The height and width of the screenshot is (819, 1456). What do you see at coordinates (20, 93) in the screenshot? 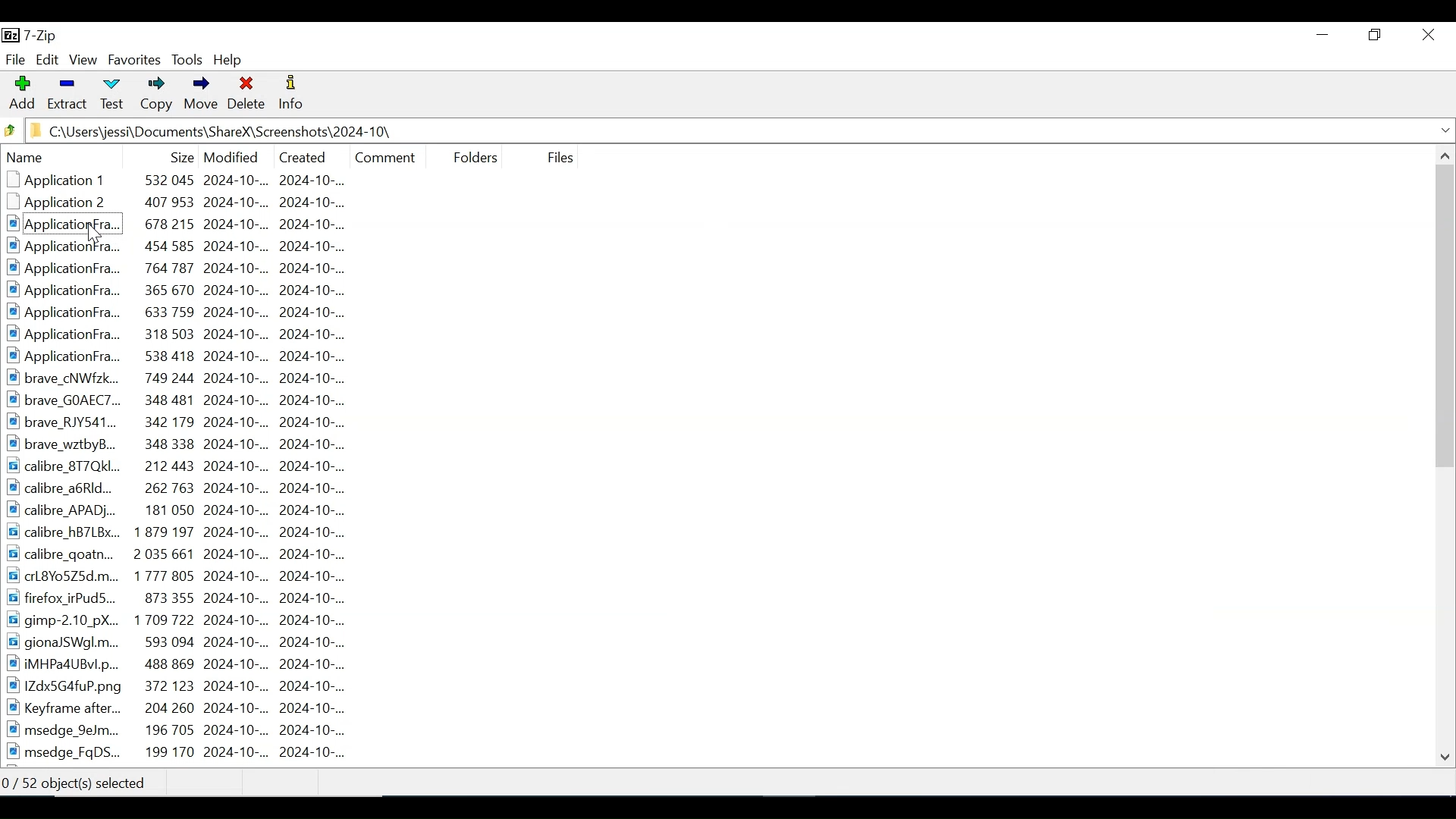
I see `Add` at bounding box center [20, 93].